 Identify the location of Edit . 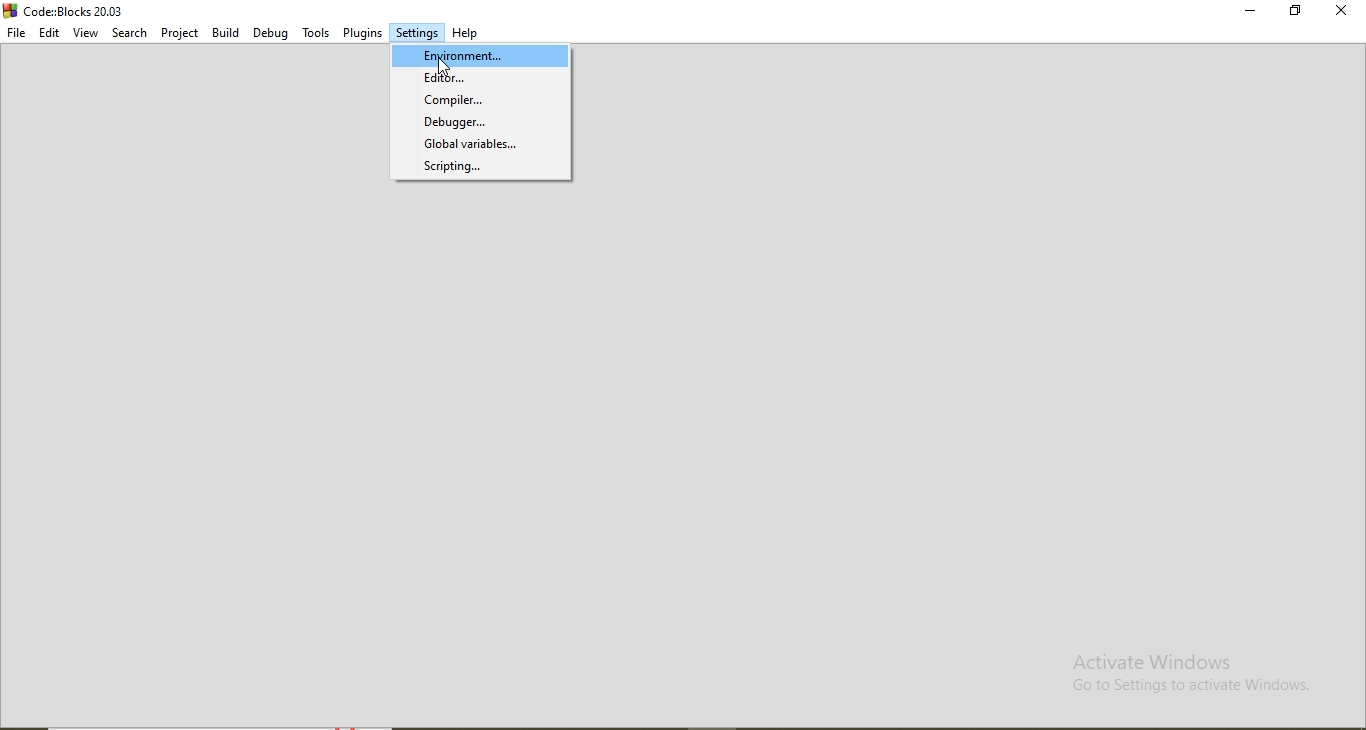
(50, 31).